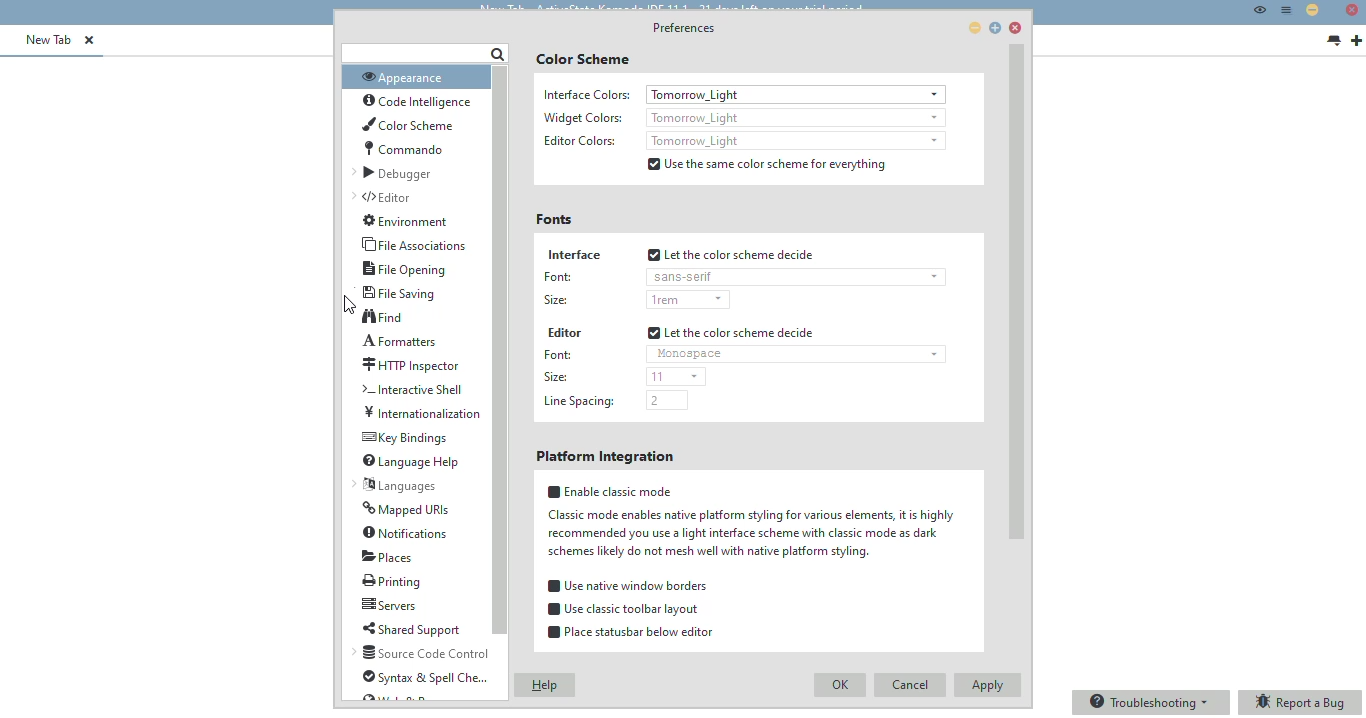  Describe the element at coordinates (1357, 41) in the screenshot. I see `new tab` at that location.